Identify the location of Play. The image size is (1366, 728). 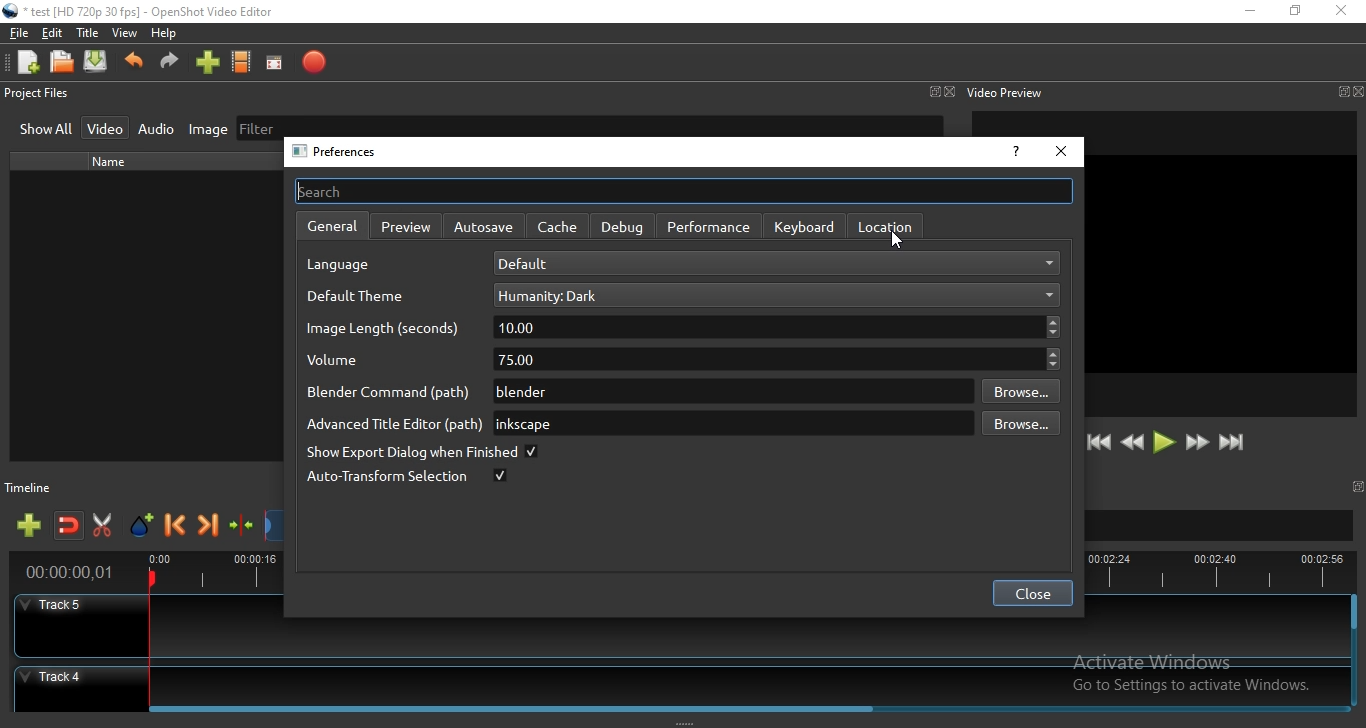
(1164, 443).